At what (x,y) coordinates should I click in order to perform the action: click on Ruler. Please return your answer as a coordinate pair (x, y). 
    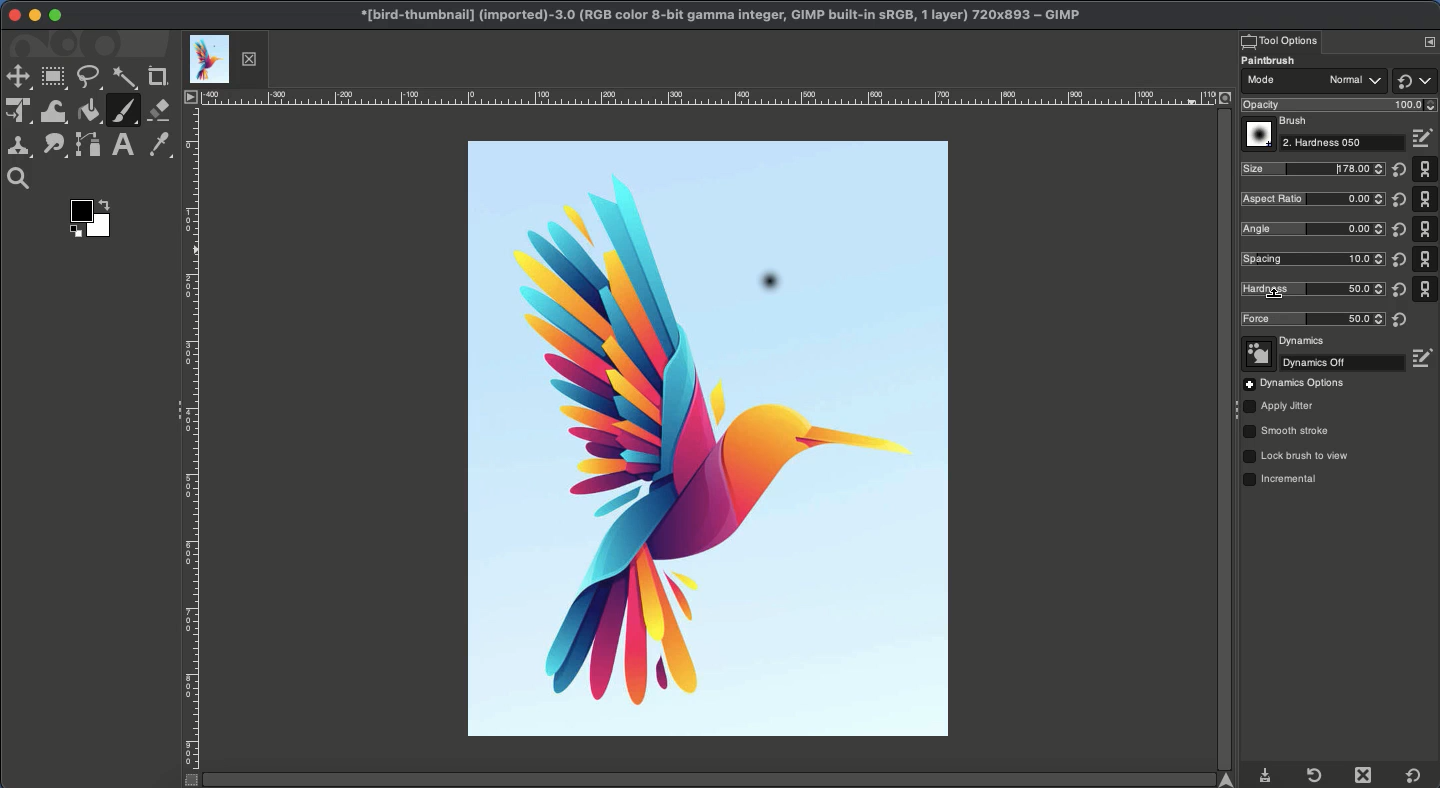
    Looking at the image, I should click on (190, 449).